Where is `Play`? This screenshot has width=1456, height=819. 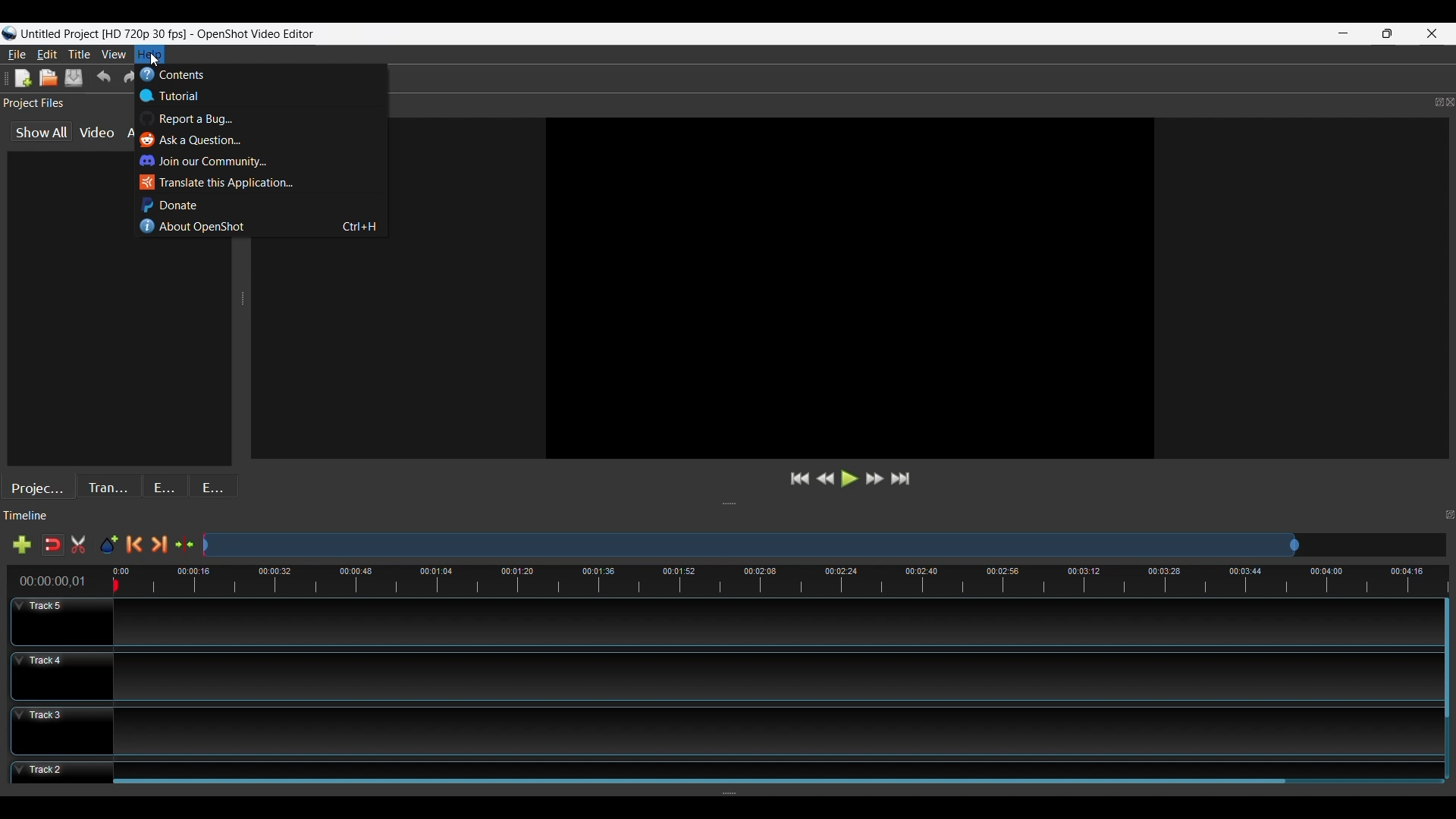
Play is located at coordinates (849, 479).